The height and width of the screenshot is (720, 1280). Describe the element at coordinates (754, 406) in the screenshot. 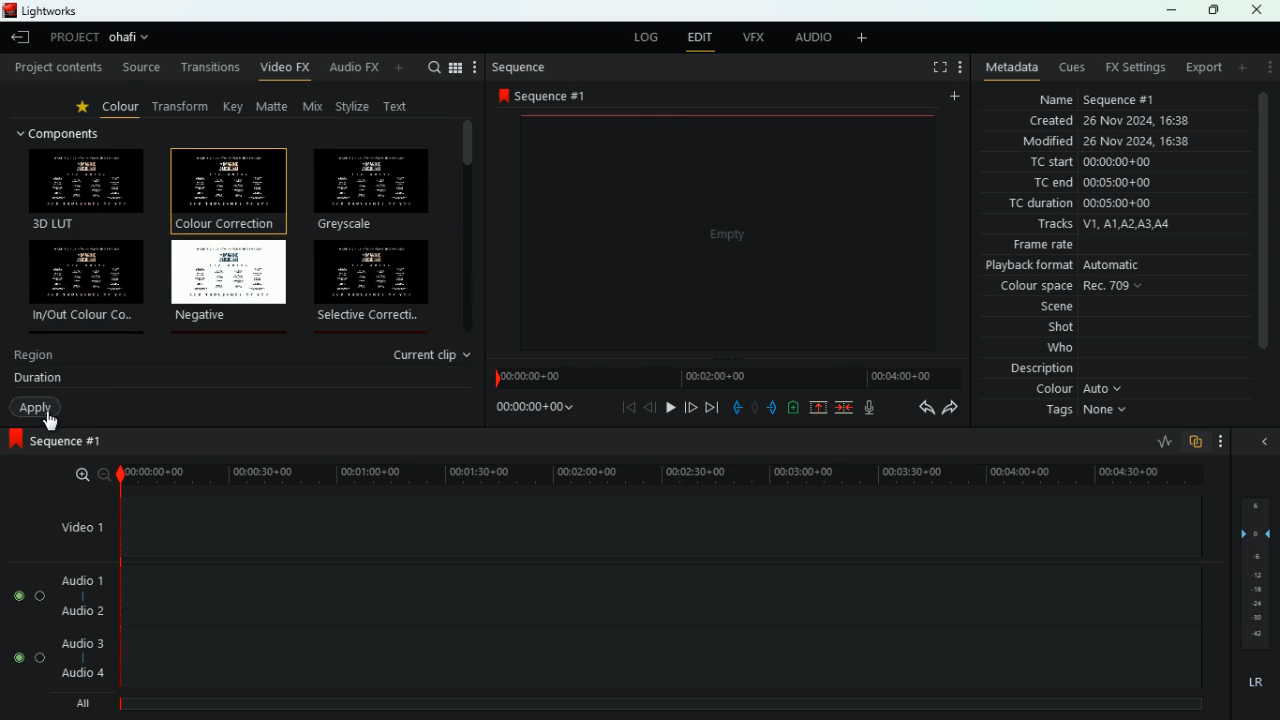

I see `middle` at that location.